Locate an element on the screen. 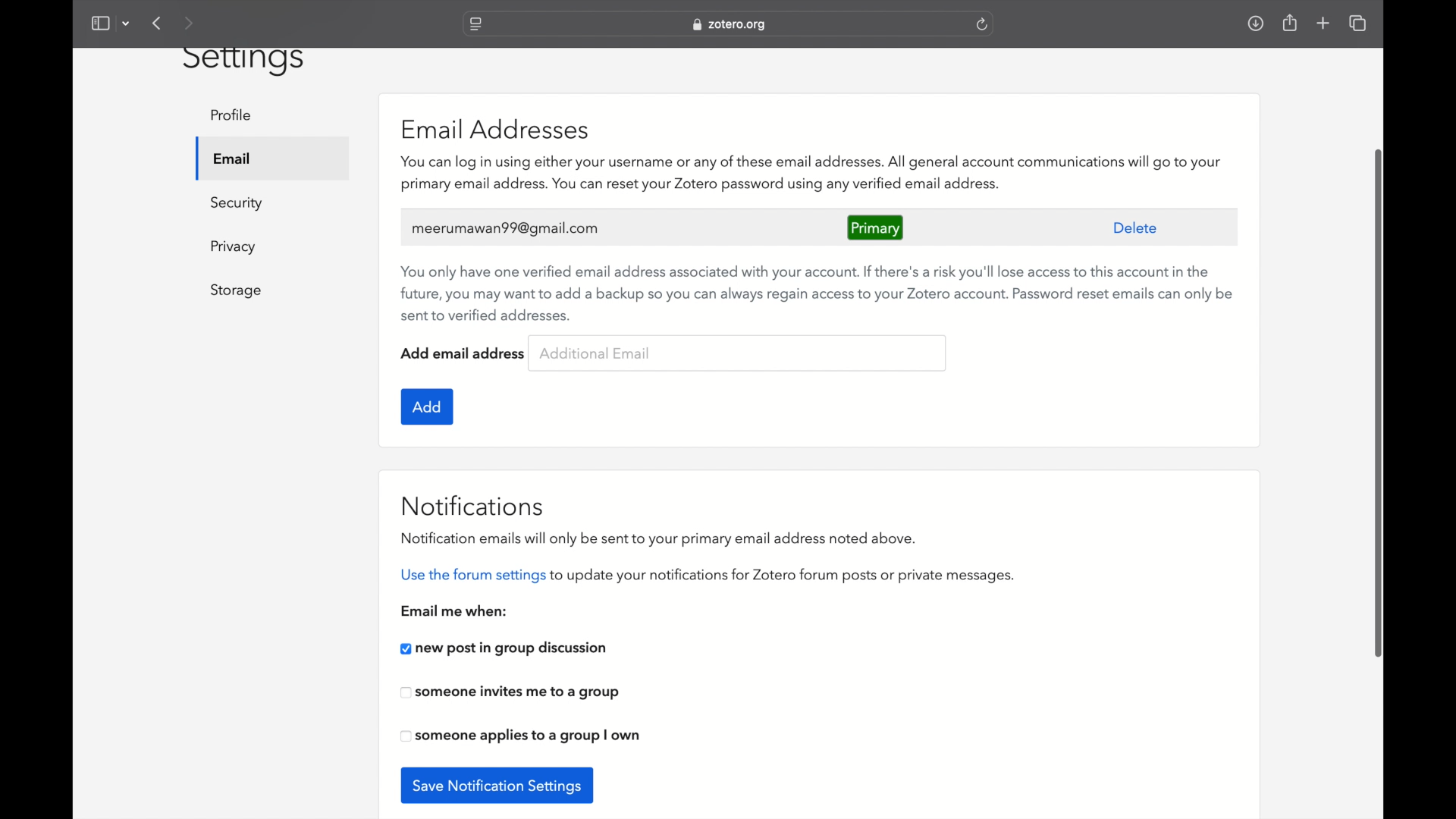 The height and width of the screenshot is (819, 1456). storage is located at coordinates (236, 291).